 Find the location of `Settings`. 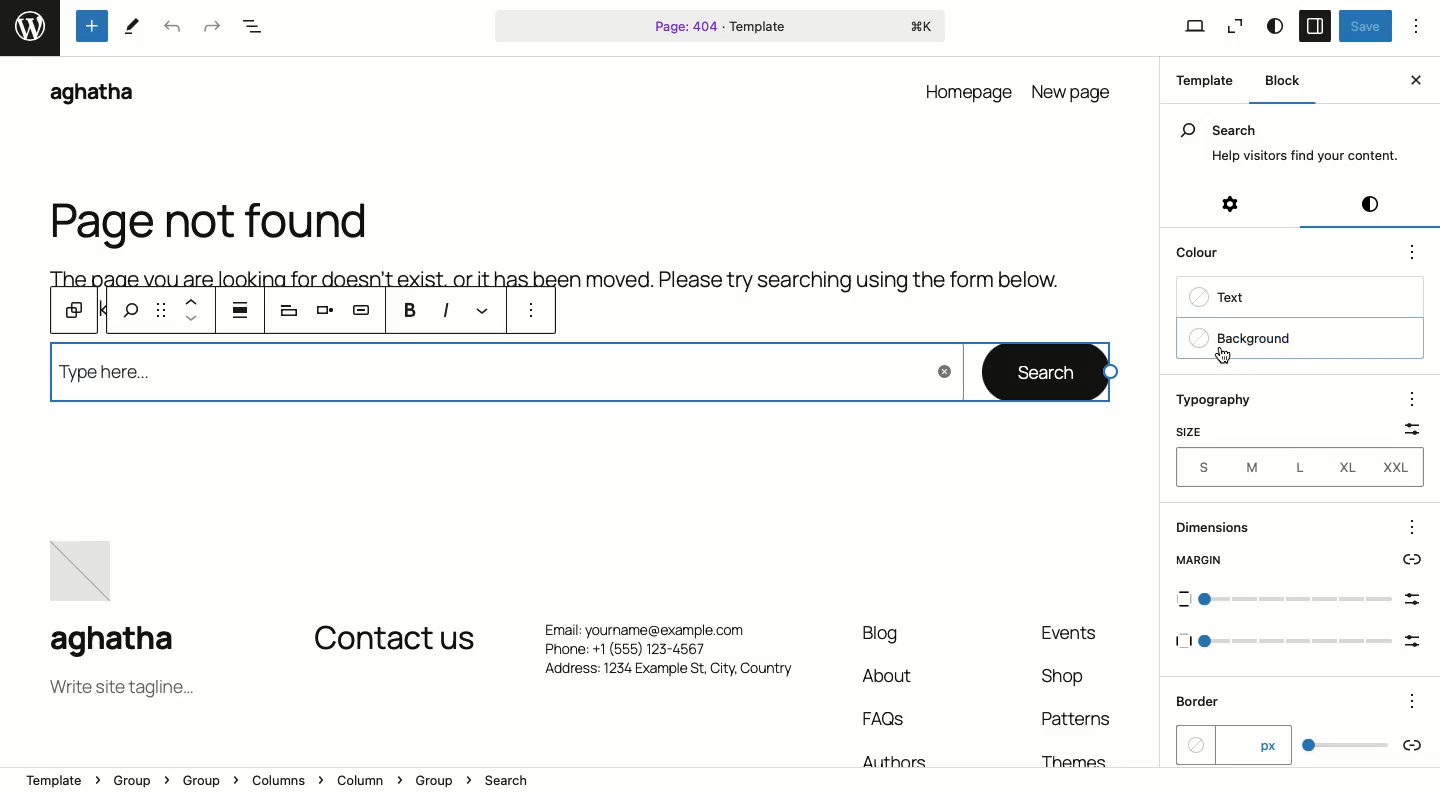

Settings is located at coordinates (1234, 209).